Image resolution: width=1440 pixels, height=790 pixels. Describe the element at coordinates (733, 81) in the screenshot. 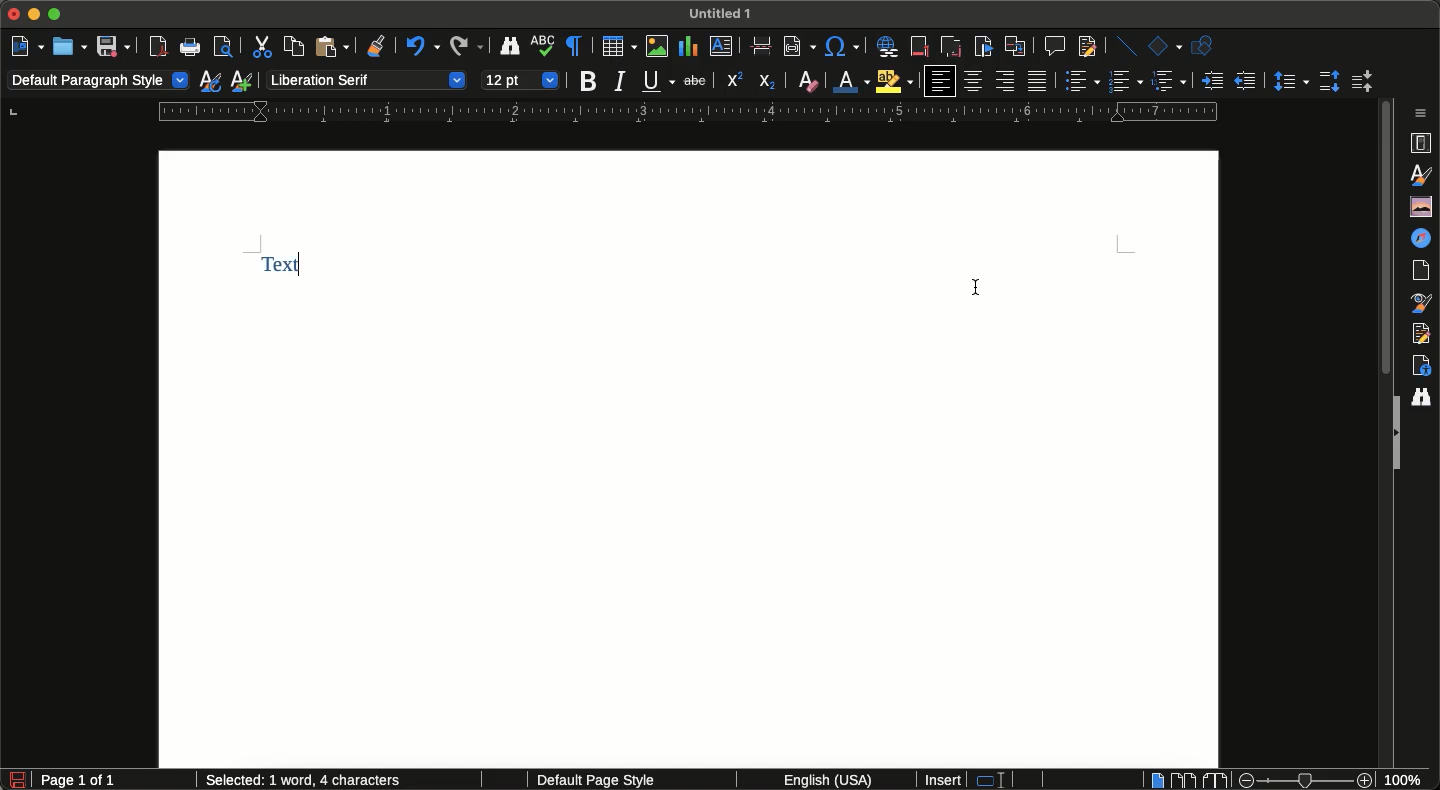

I see `Superscript` at that location.